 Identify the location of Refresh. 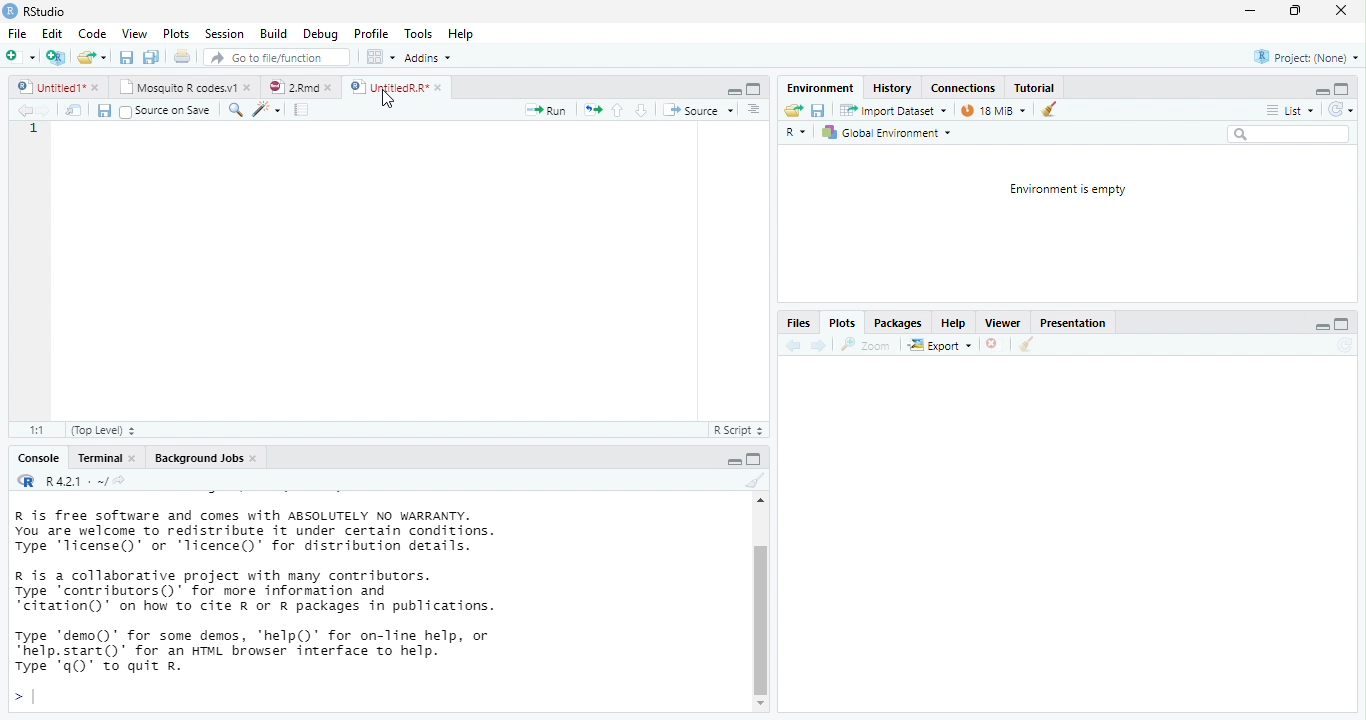
(1341, 110).